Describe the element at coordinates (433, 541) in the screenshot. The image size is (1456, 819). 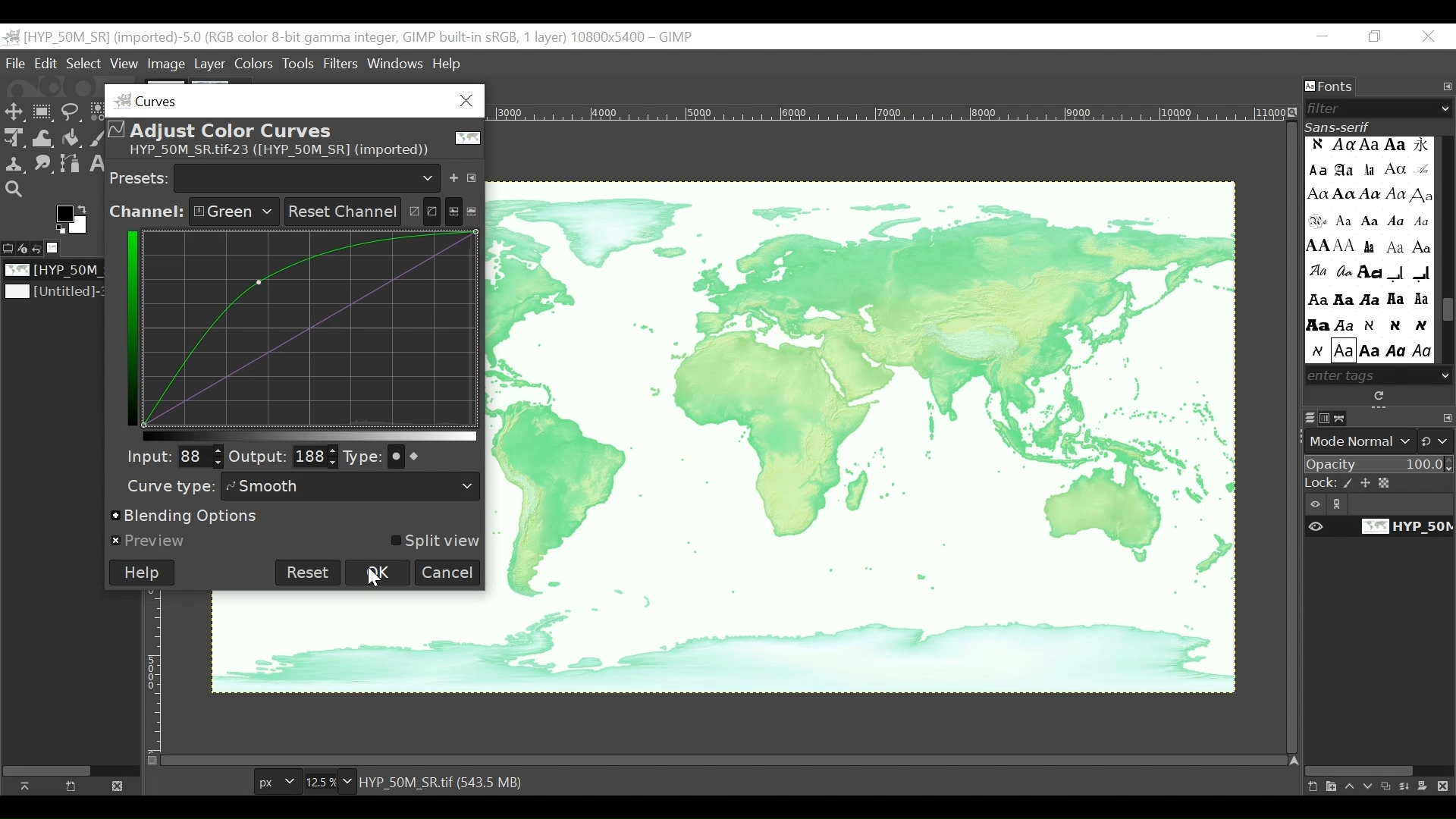
I see `Split view` at that location.